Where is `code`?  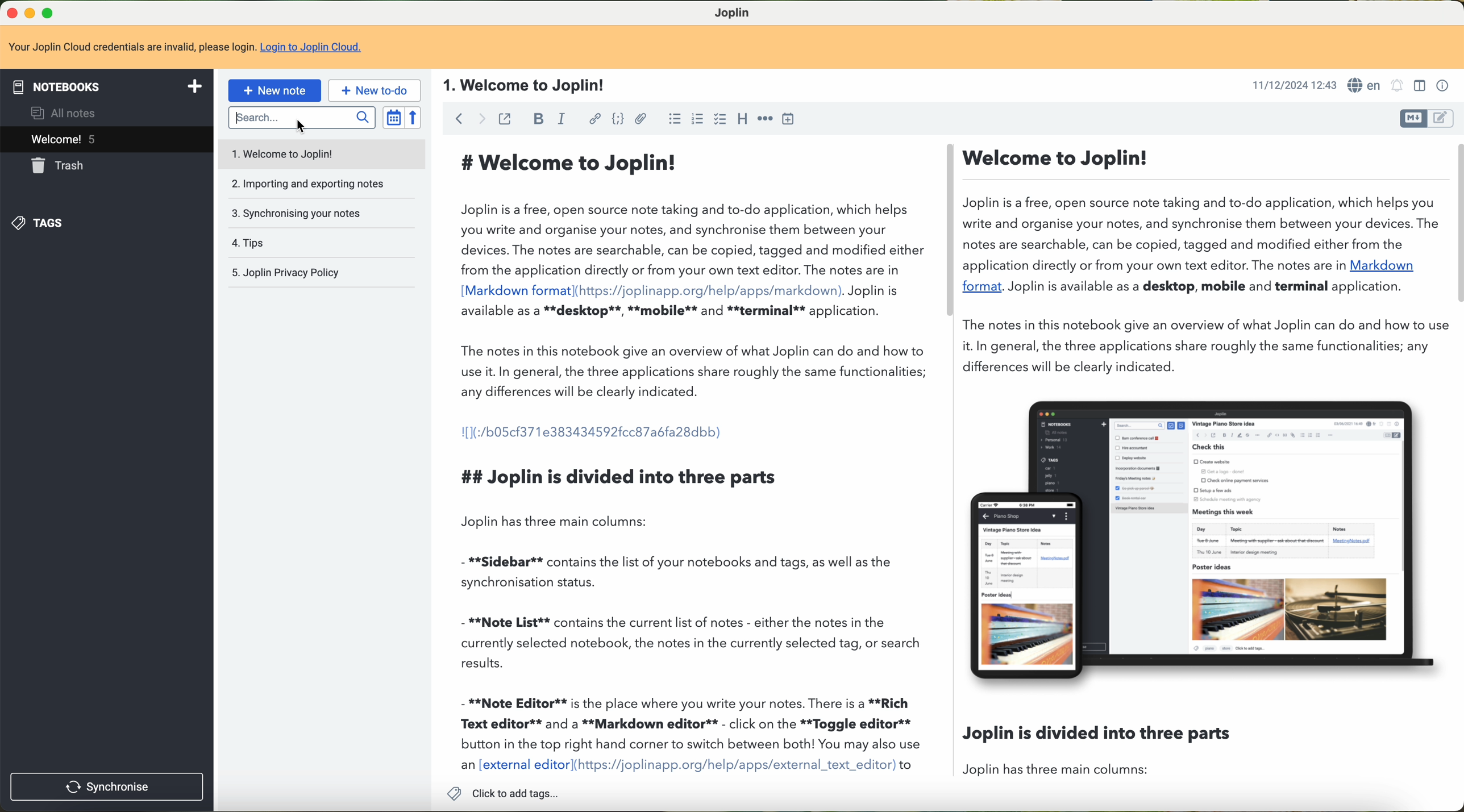 code is located at coordinates (618, 119).